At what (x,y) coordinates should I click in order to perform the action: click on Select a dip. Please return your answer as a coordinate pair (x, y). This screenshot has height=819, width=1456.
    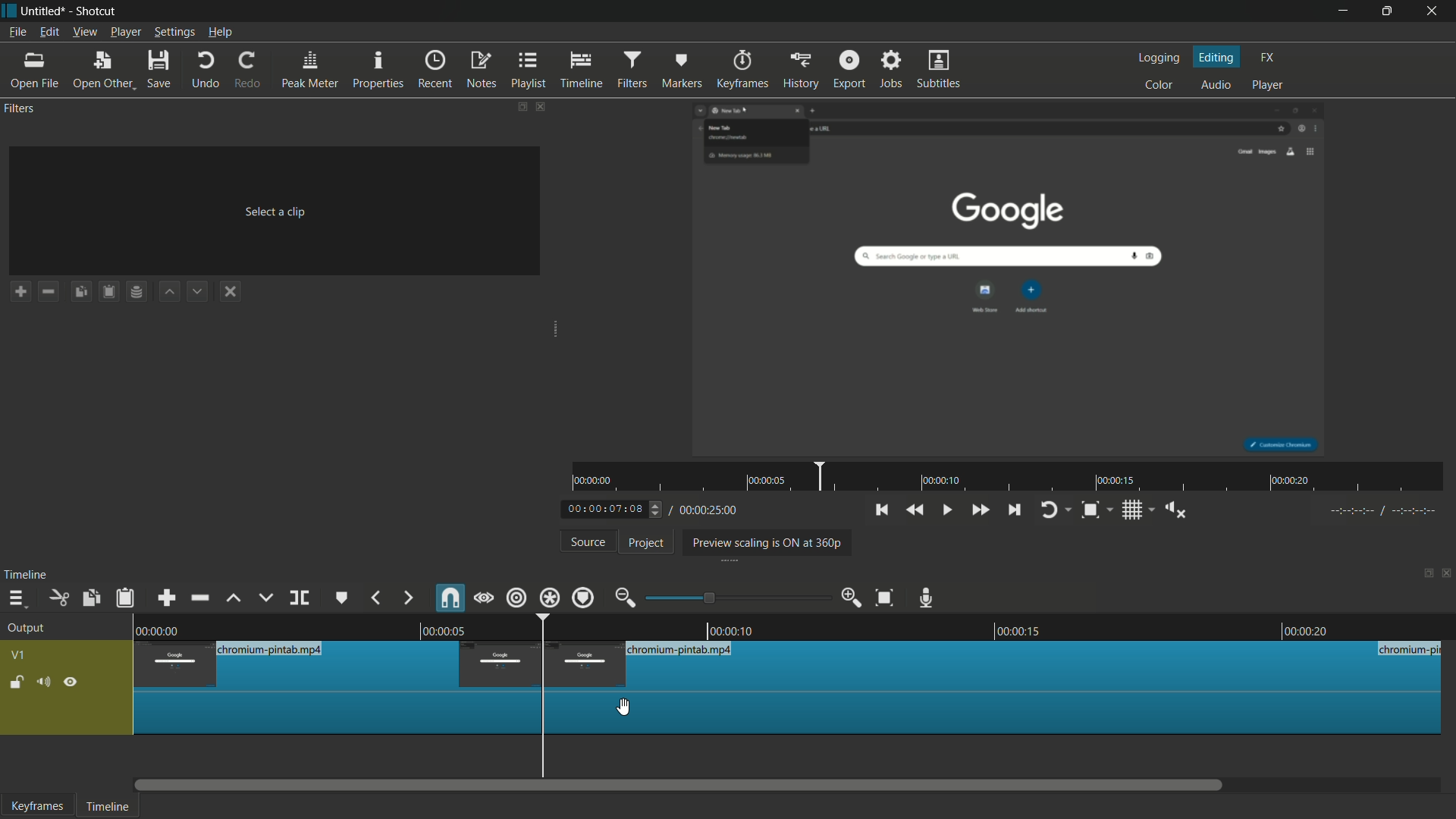
    Looking at the image, I should click on (272, 209).